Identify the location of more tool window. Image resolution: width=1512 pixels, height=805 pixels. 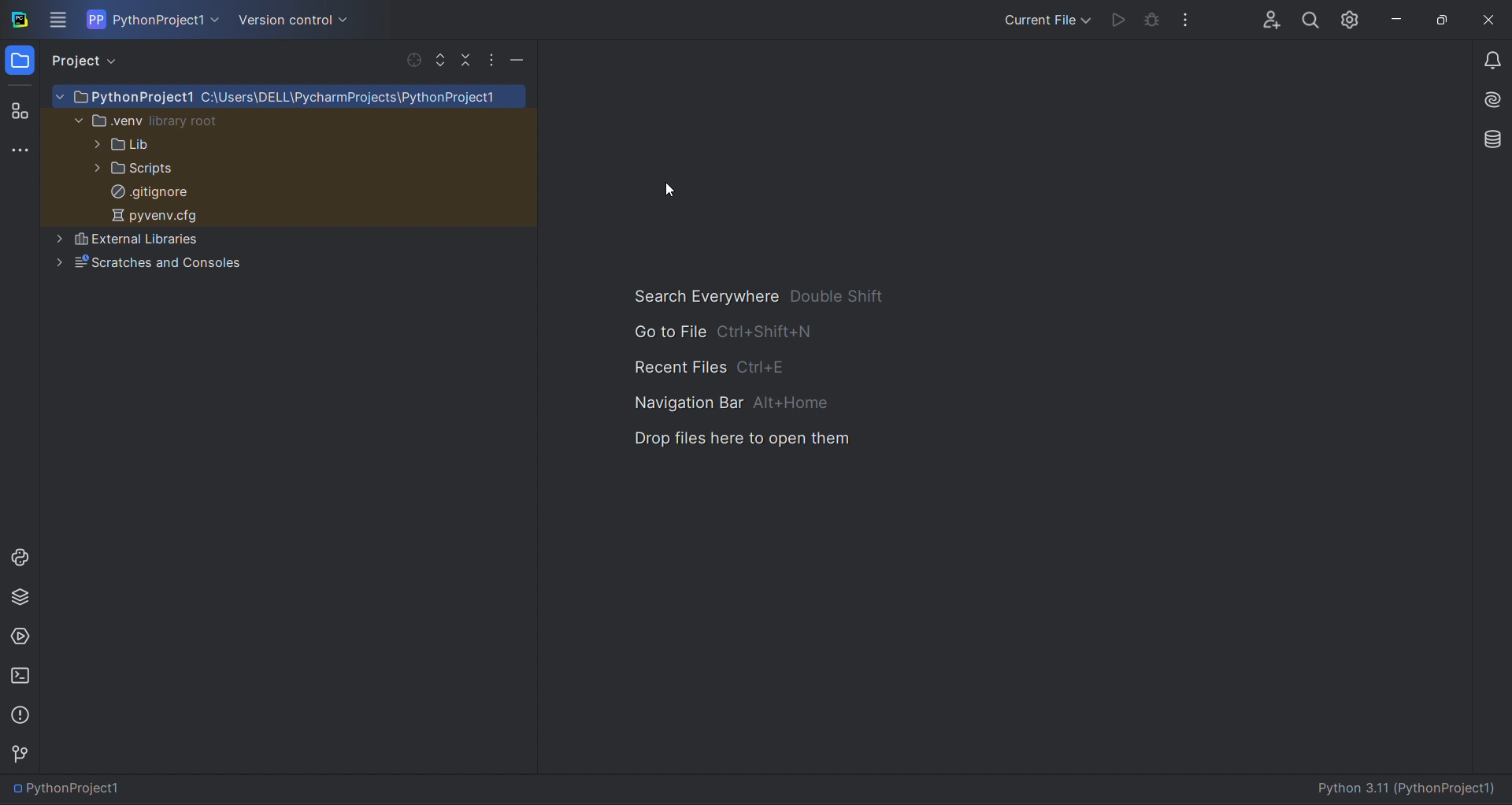
(20, 150).